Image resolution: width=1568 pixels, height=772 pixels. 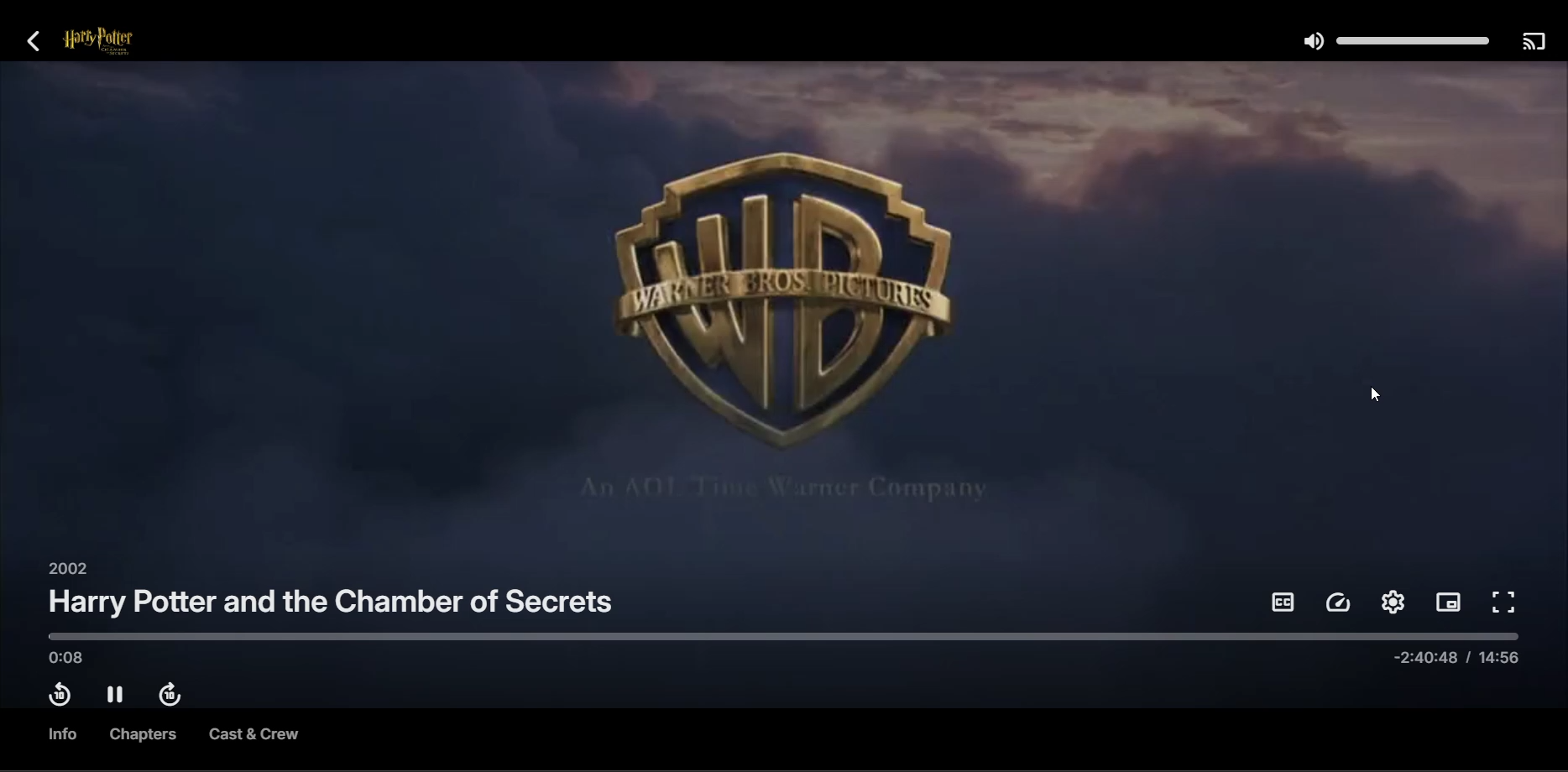 What do you see at coordinates (71, 660) in the screenshot?
I see `Elapsed Time` at bounding box center [71, 660].